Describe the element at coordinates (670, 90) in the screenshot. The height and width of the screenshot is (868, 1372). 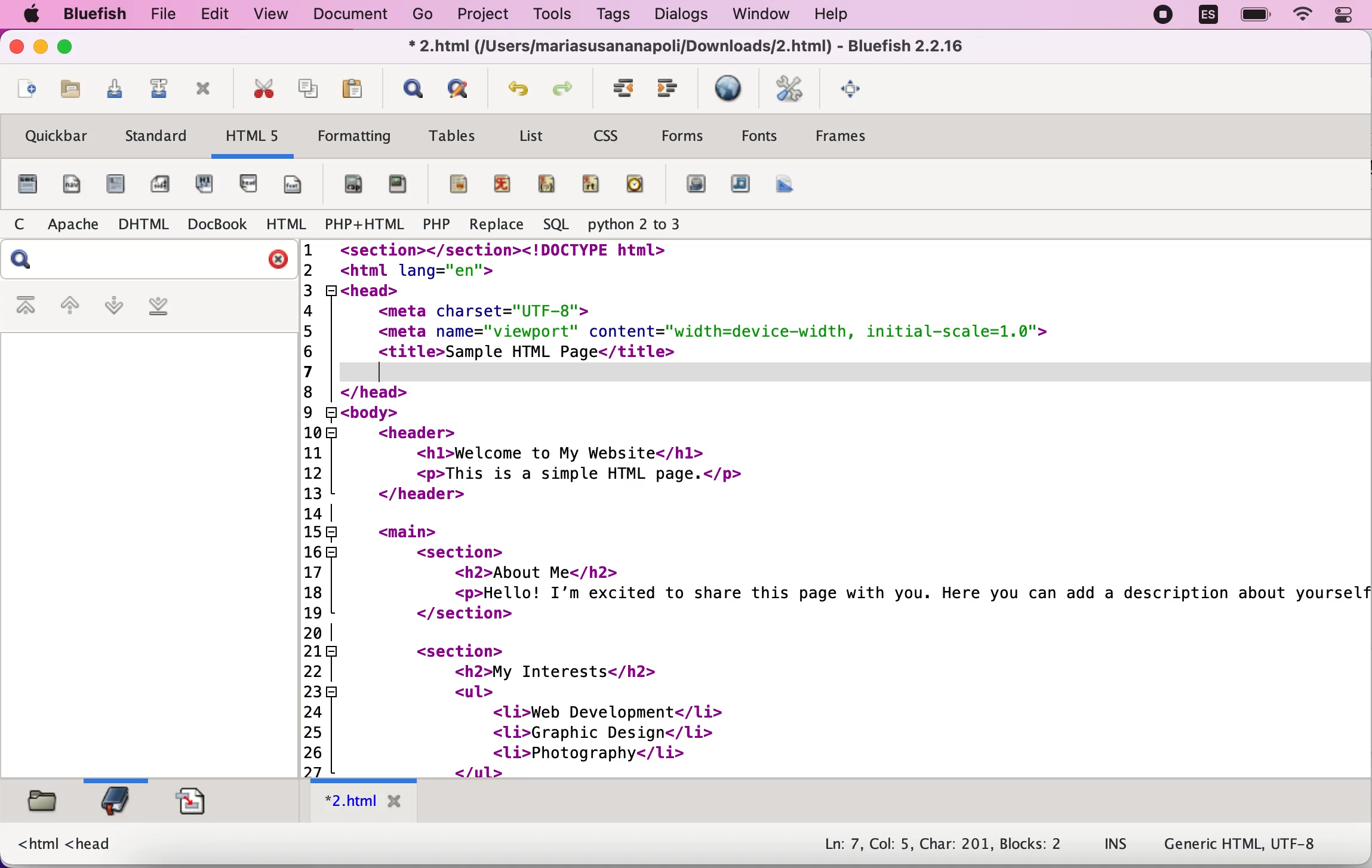
I see `indent` at that location.